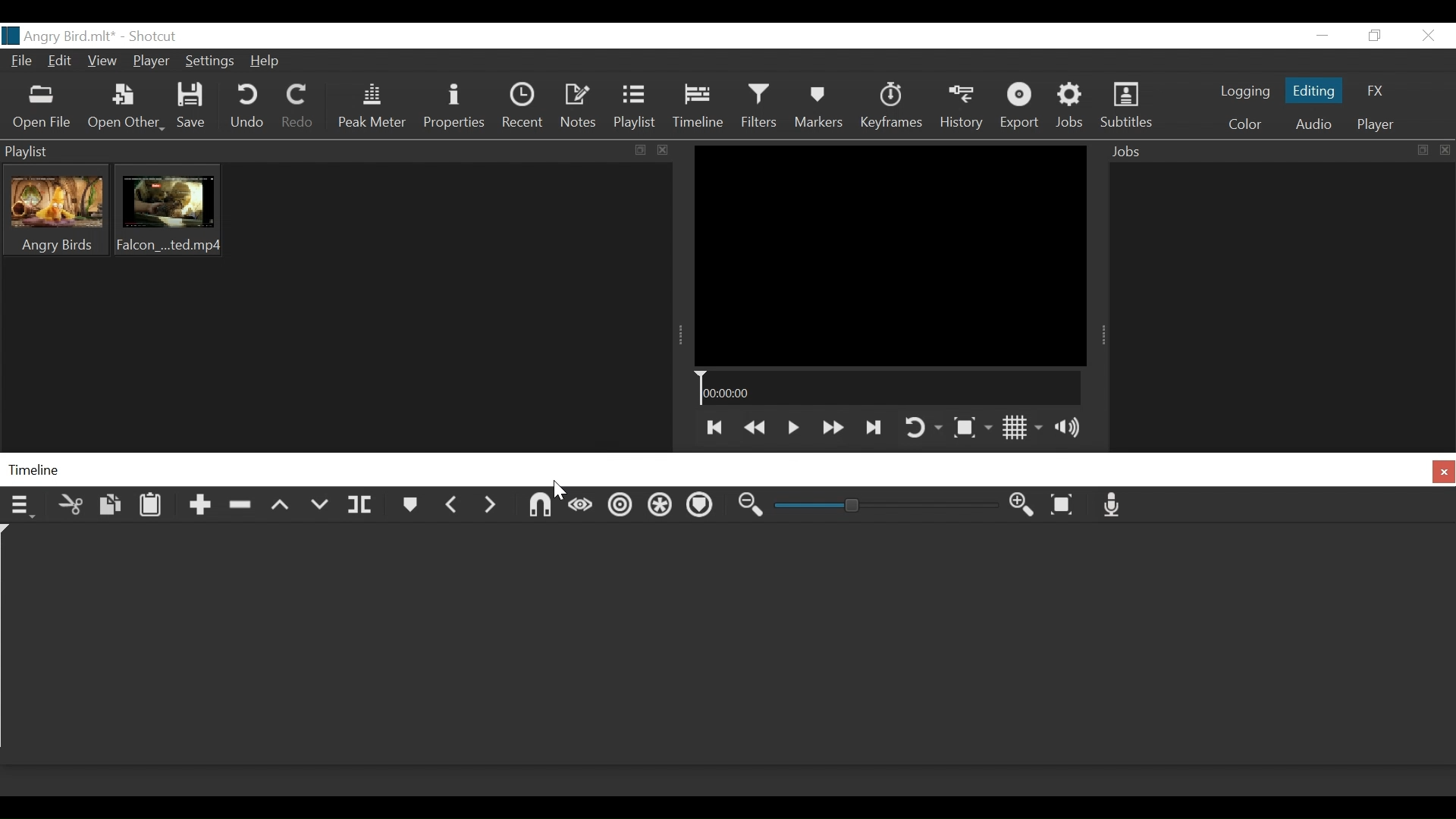  What do you see at coordinates (195, 106) in the screenshot?
I see `Save` at bounding box center [195, 106].